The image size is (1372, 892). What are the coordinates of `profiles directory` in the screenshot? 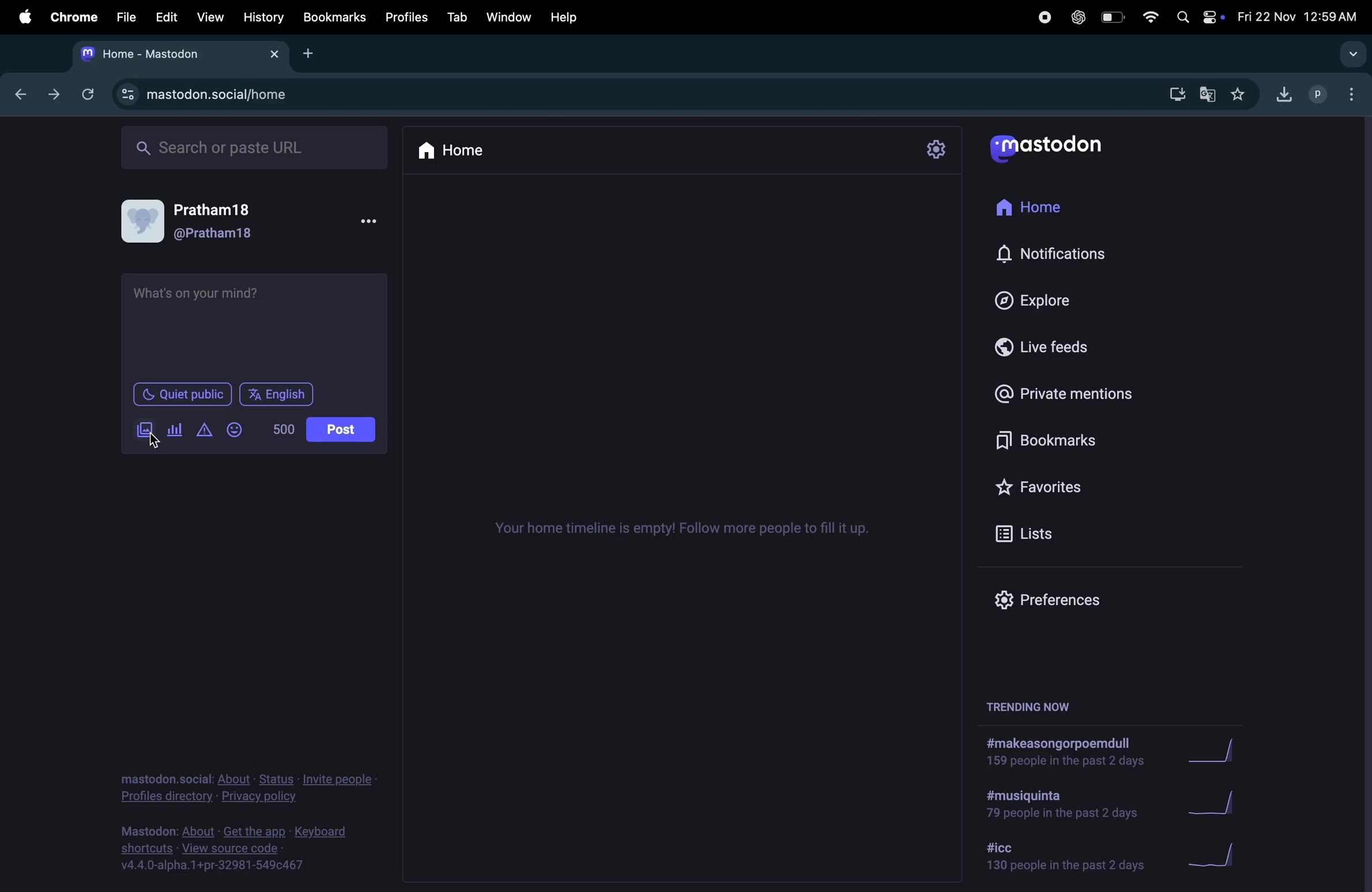 It's located at (168, 797).